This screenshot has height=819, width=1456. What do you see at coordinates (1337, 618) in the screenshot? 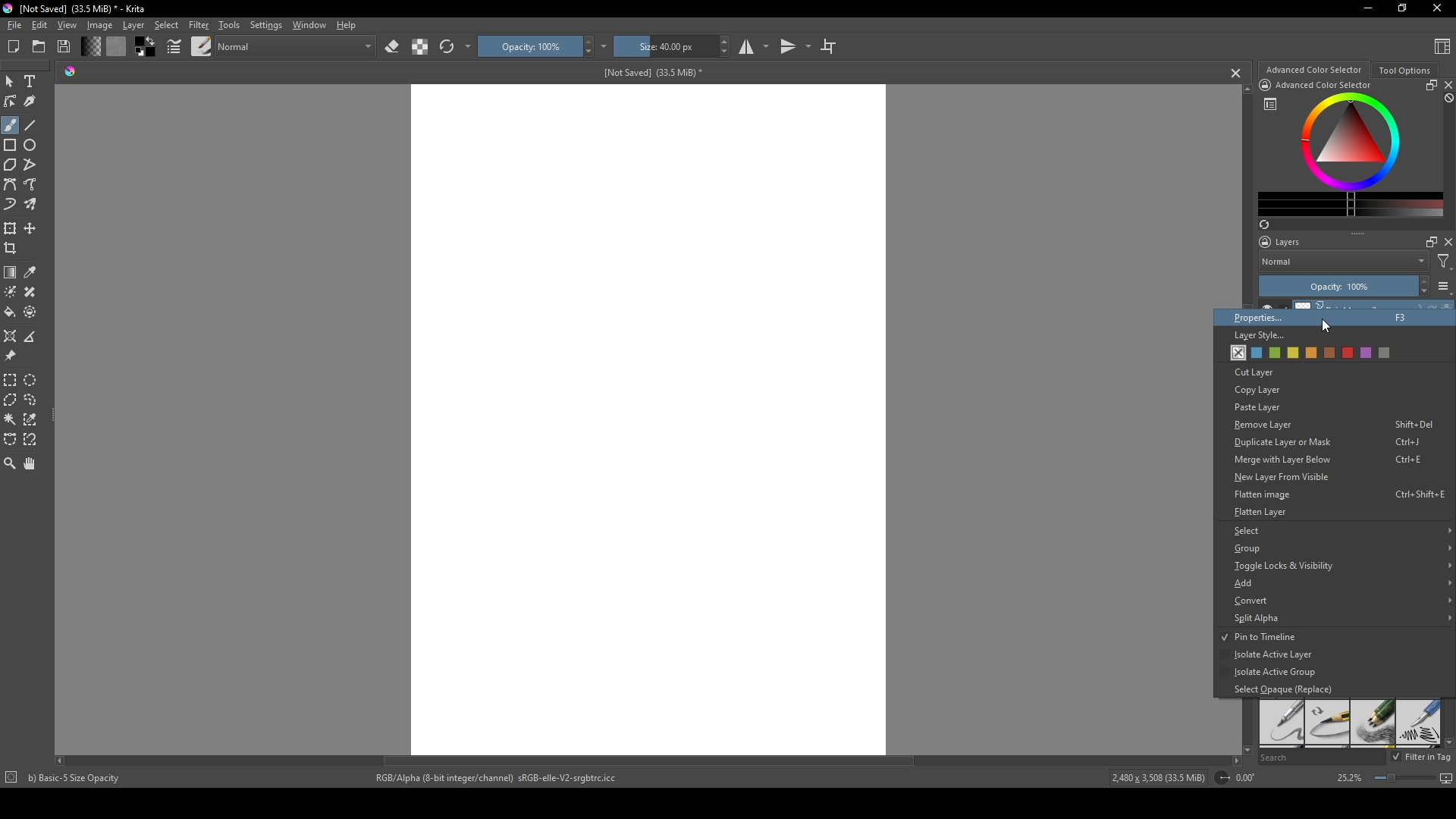
I see `Split Alpha ` at bounding box center [1337, 618].